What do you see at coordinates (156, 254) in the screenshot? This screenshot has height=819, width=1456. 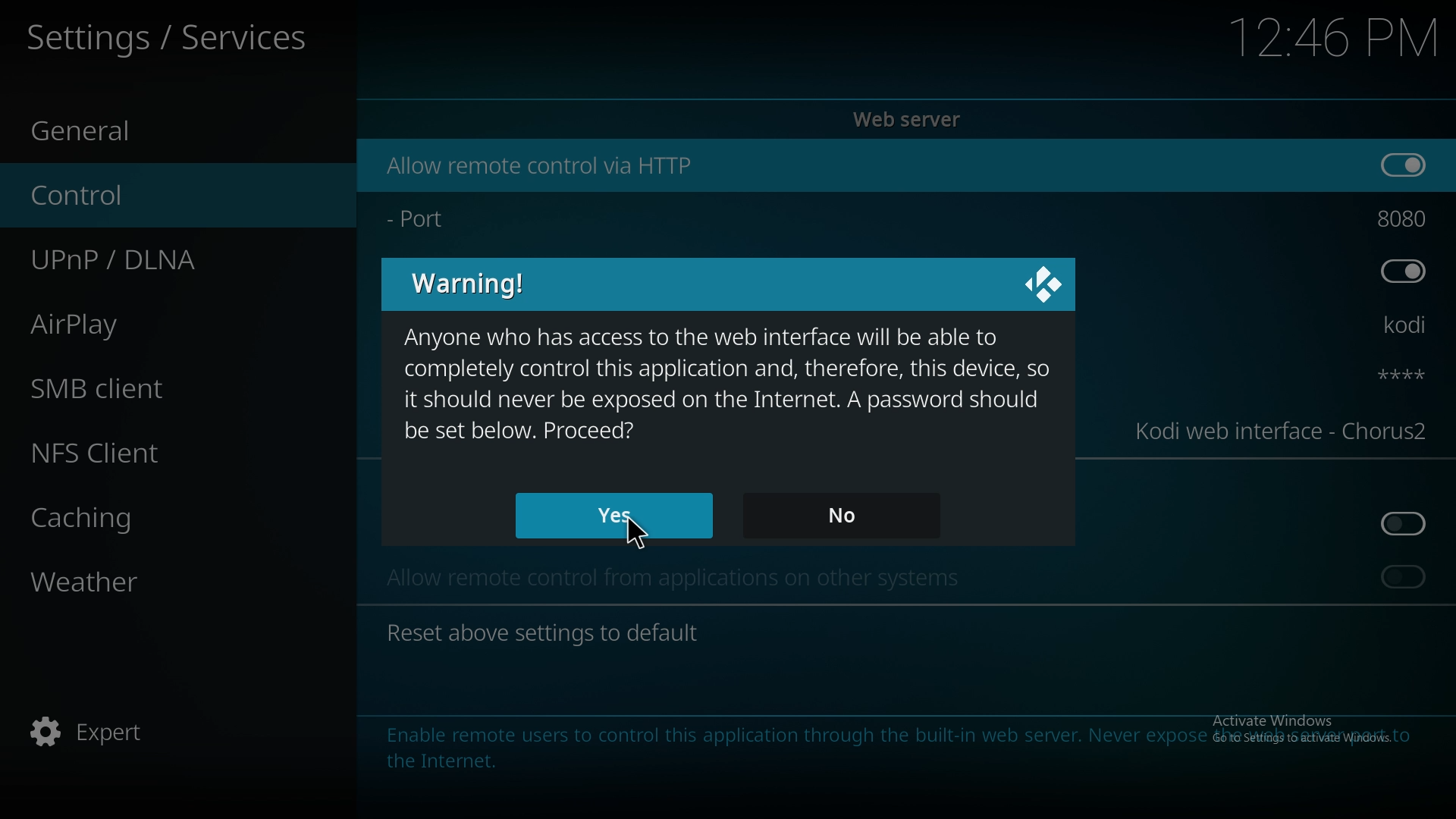 I see `upnp/dlna` at bounding box center [156, 254].